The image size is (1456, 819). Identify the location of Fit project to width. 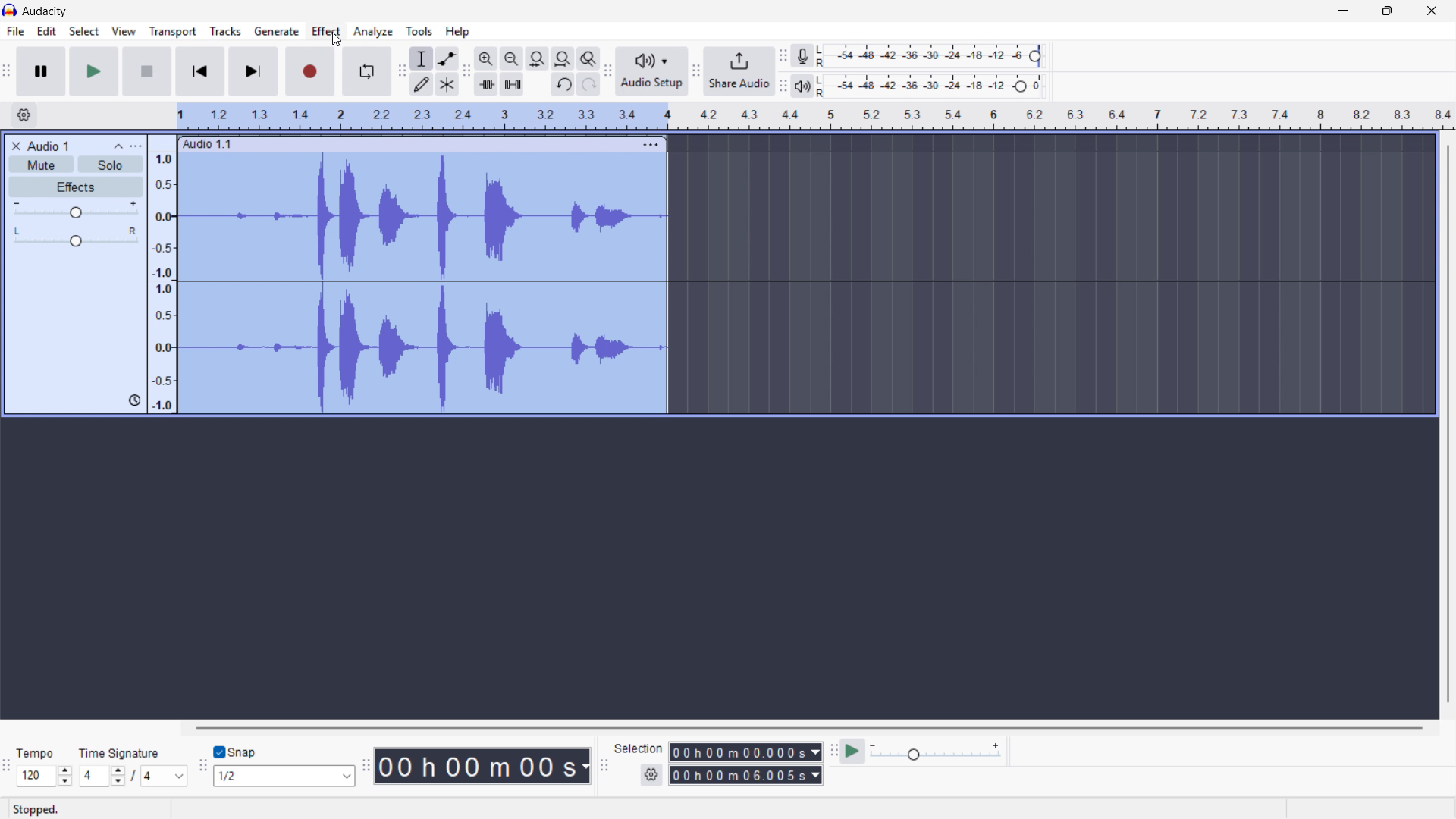
(563, 58).